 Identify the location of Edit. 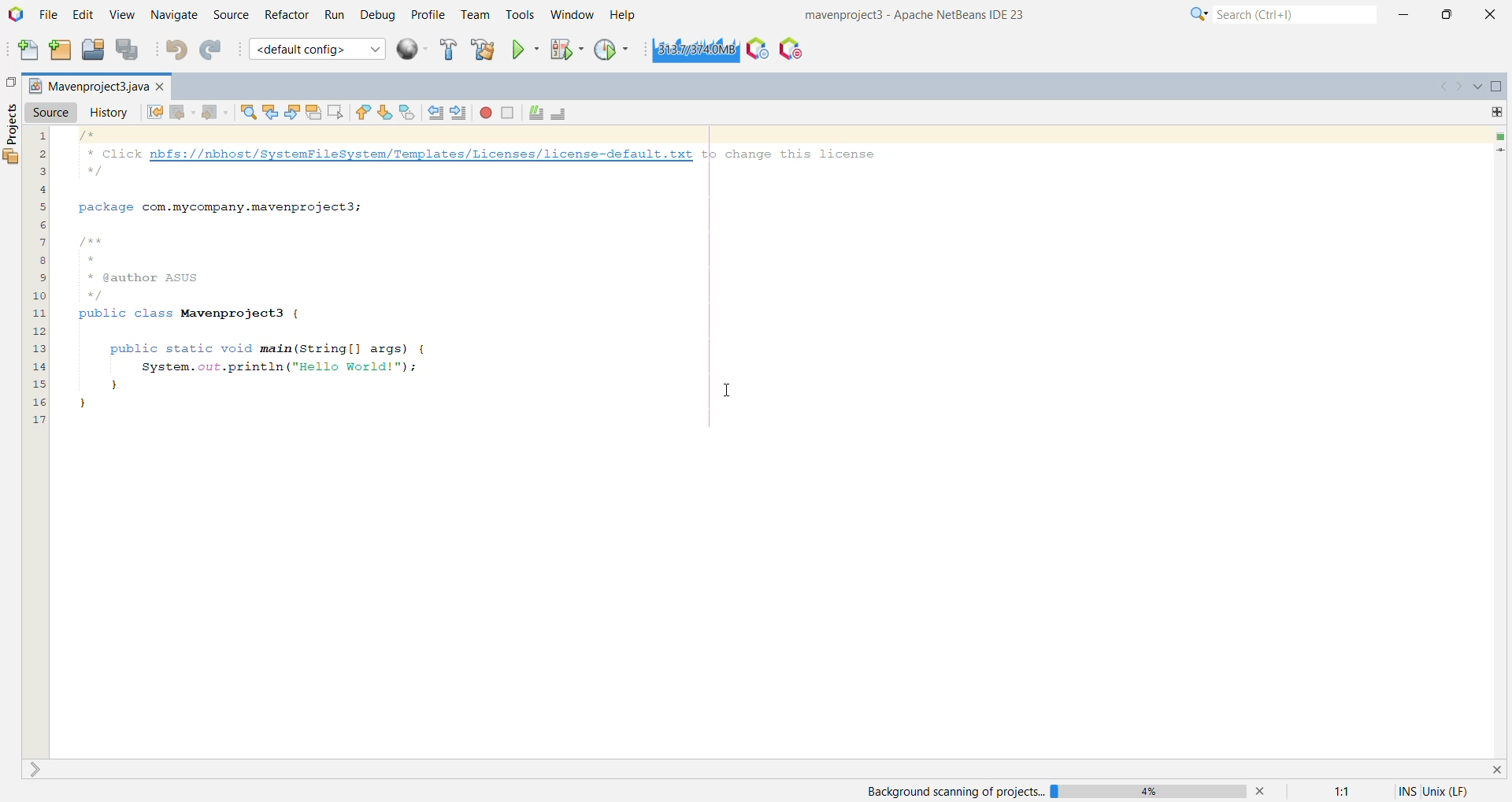
(82, 16).